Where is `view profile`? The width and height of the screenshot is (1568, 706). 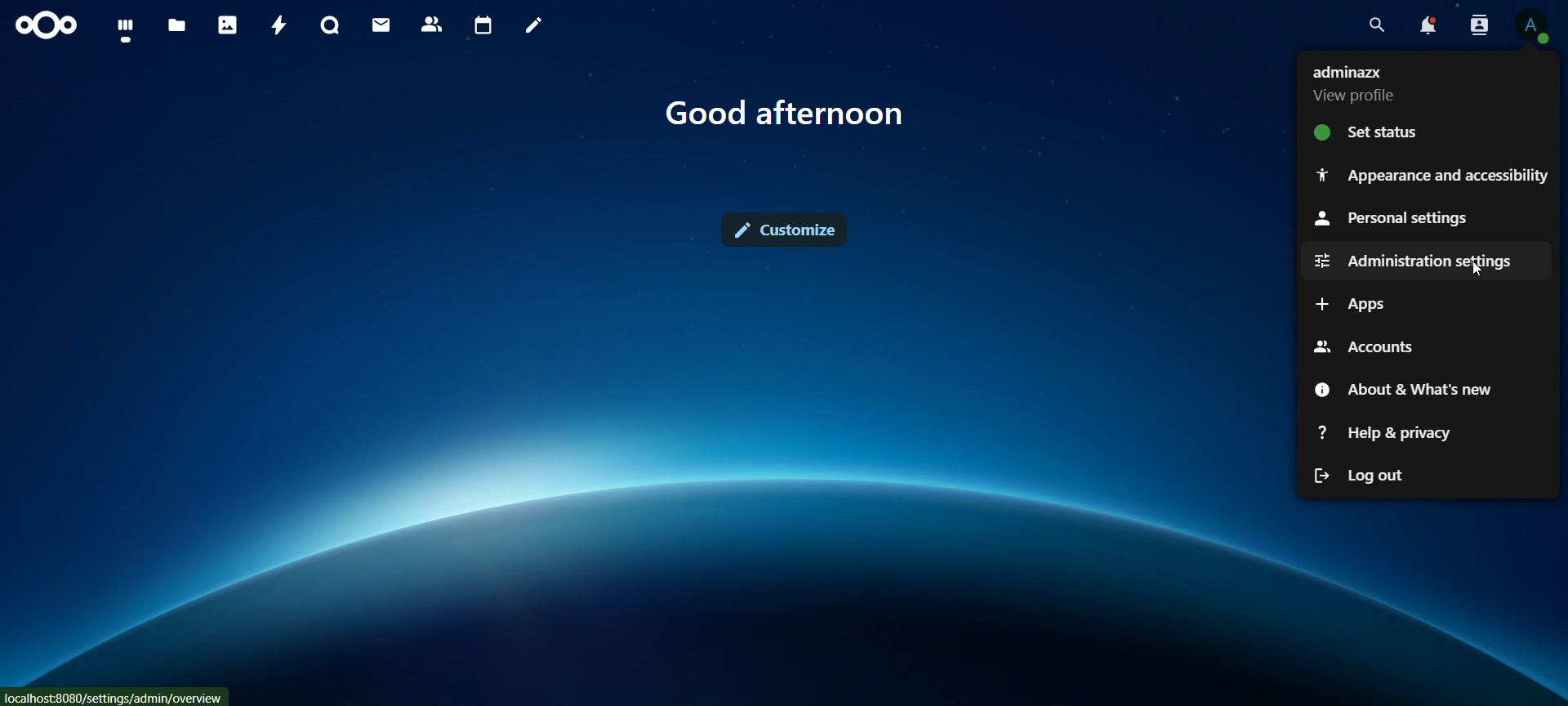
view profile is located at coordinates (1367, 87).